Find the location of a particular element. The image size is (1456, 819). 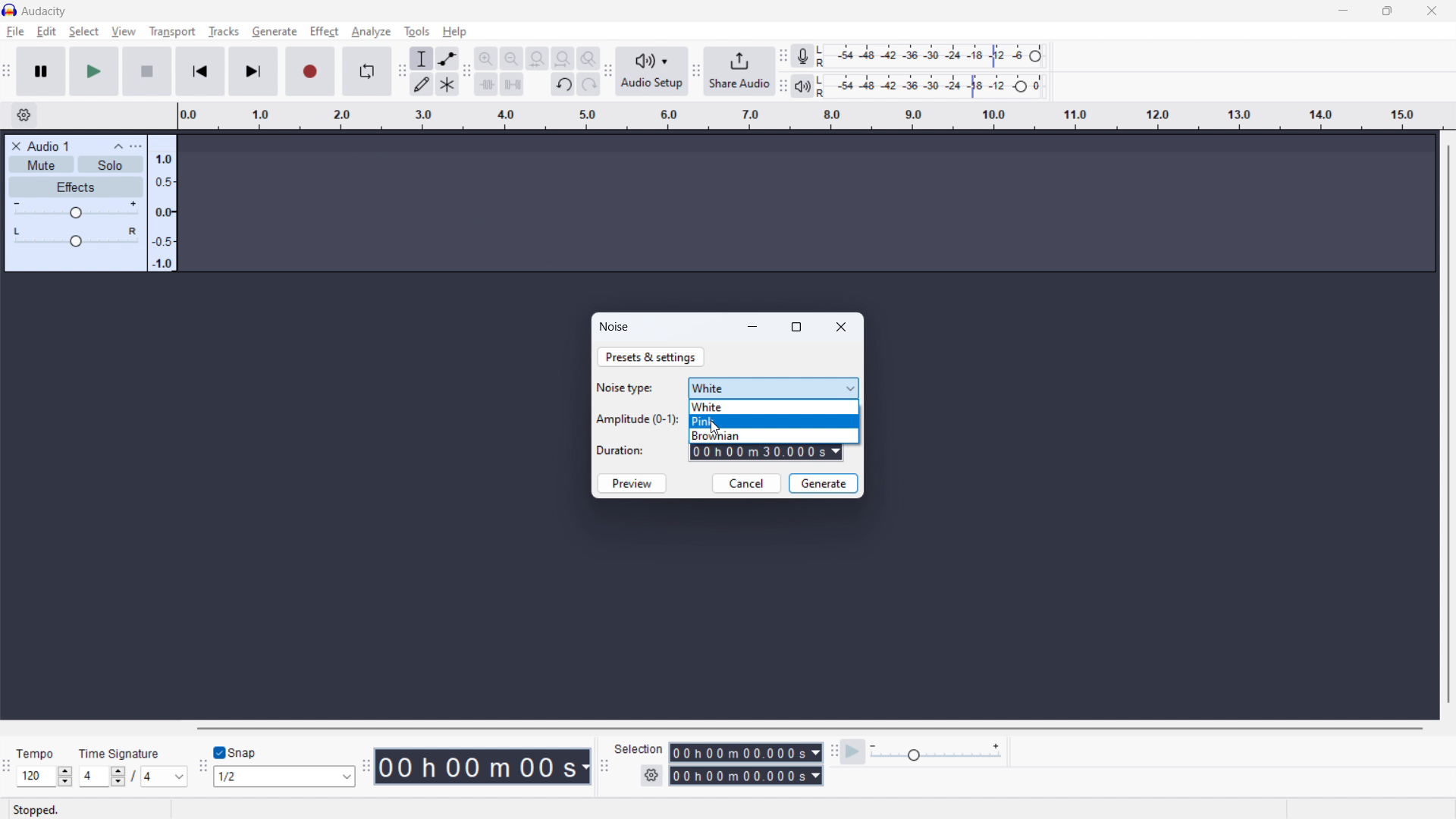

vertical scrollbar is located at coordinates (1449, 422).